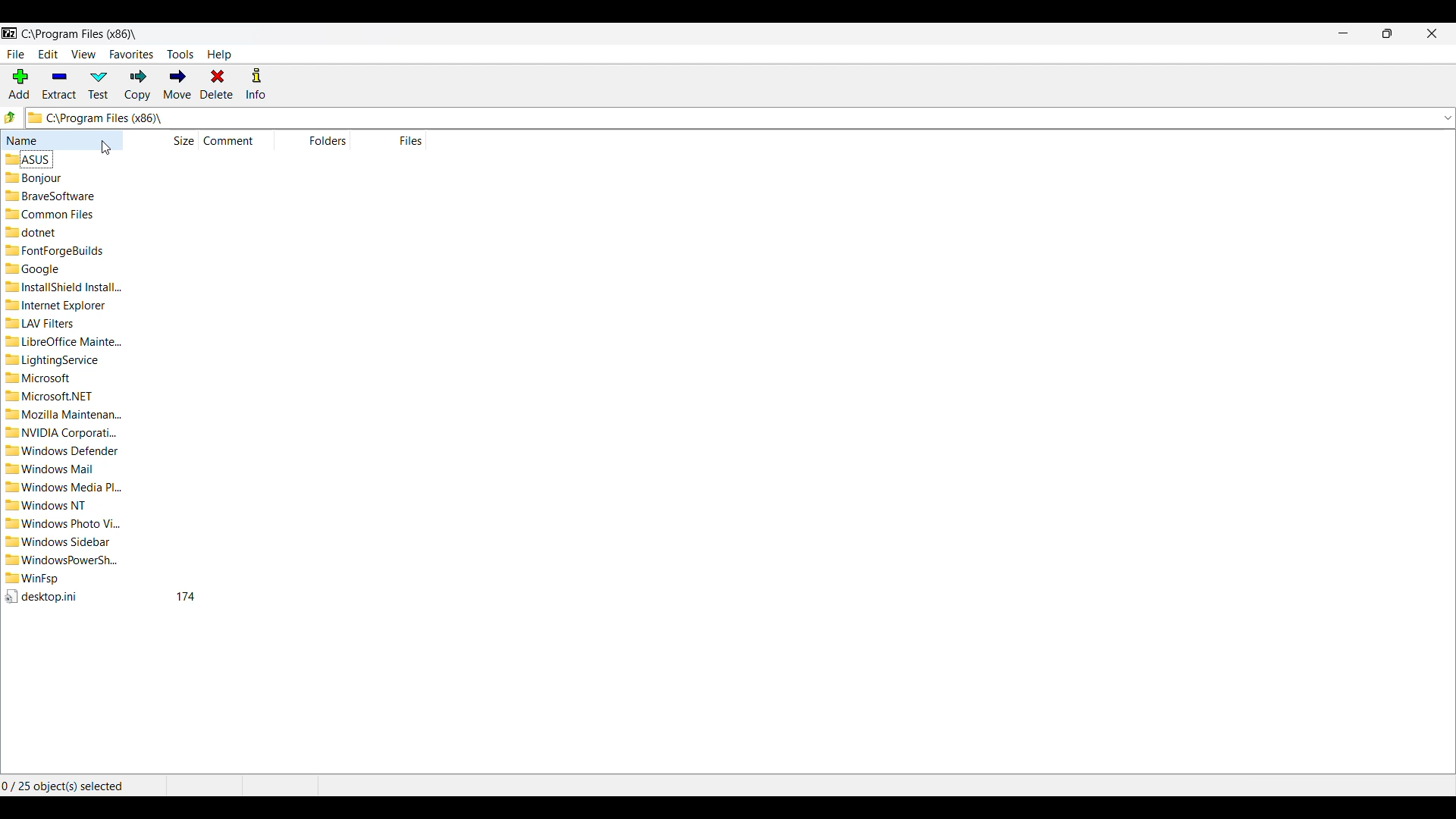 The image size is (1456, 819). Describe the element at coordinates (234, 140) in the screenshot. I see `Comment column` at that location.